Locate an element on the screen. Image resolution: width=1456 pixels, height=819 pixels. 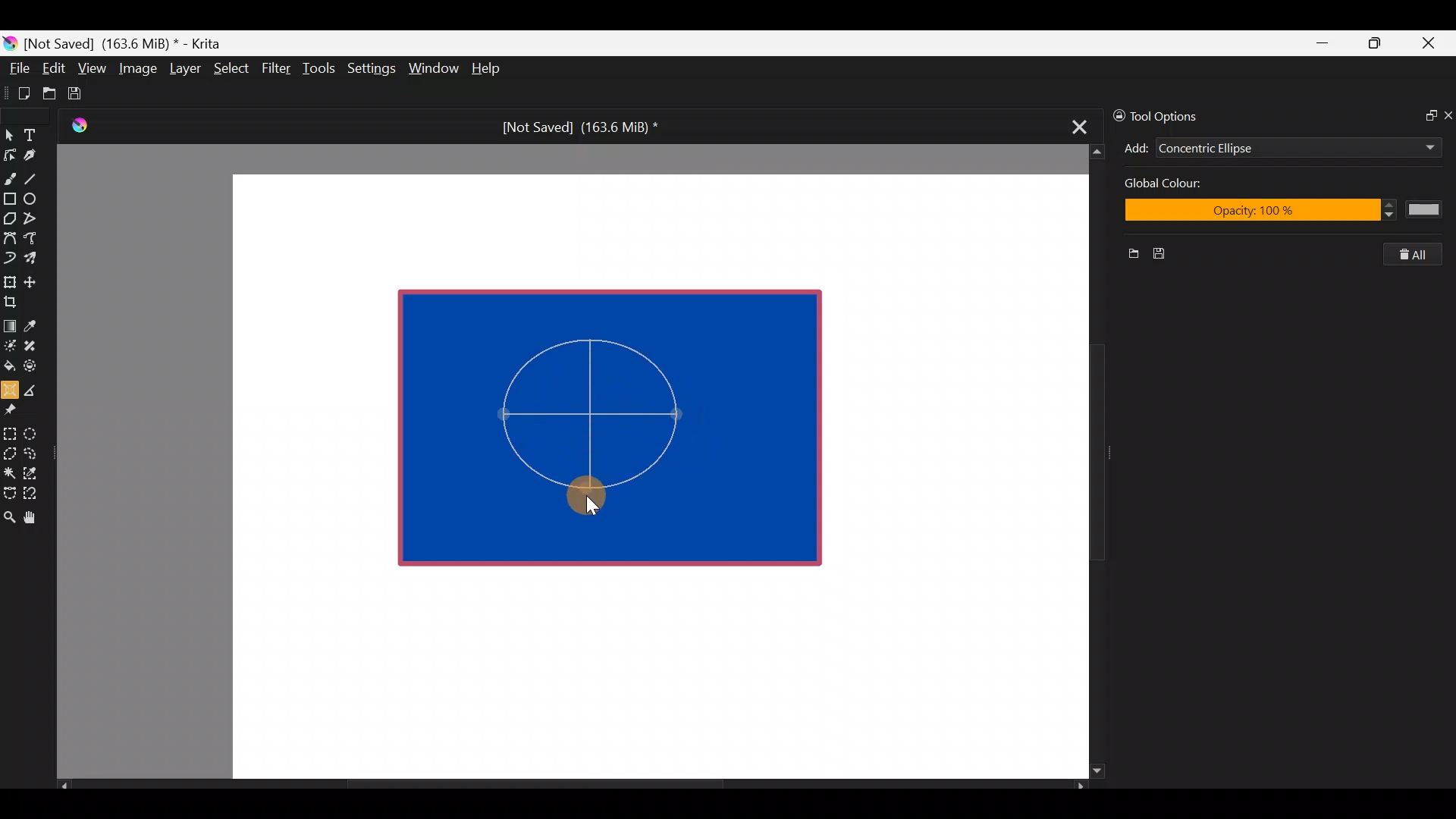
Colourise mask tool is located at coordinates (10, 344).